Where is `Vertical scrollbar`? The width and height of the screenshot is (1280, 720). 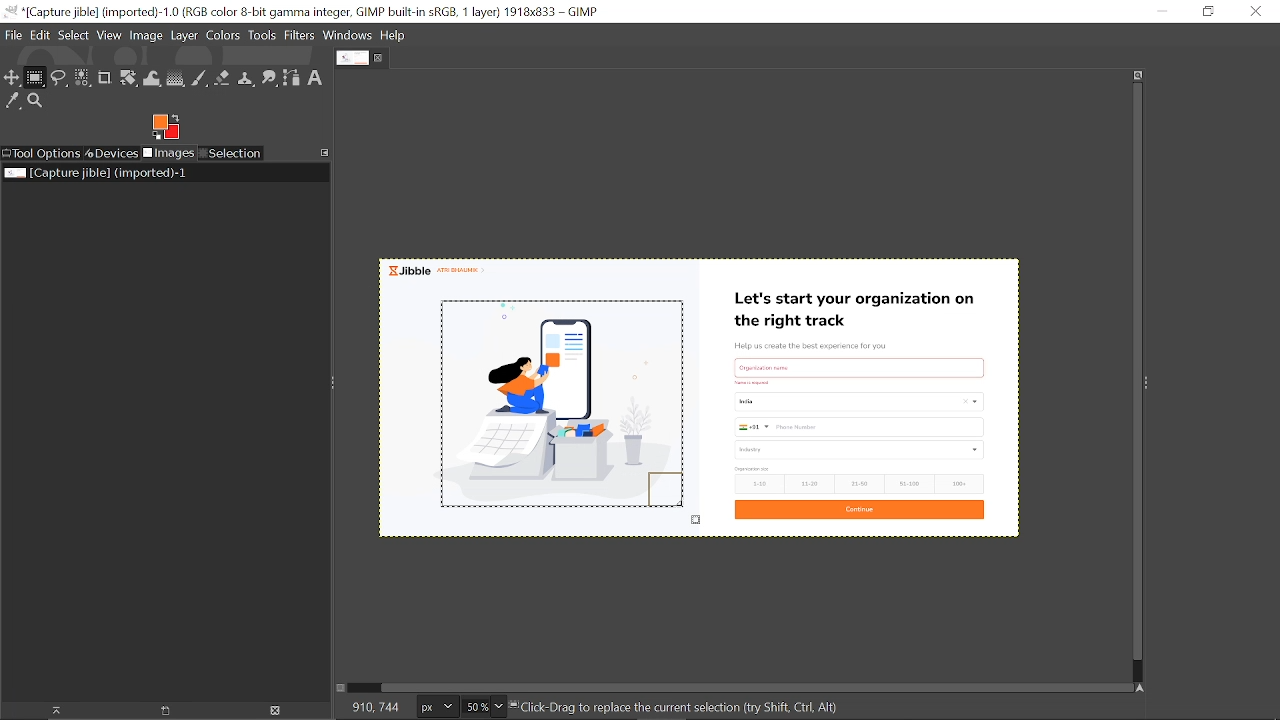
Vertical scrollbar is located at coordinates (1131, 372).